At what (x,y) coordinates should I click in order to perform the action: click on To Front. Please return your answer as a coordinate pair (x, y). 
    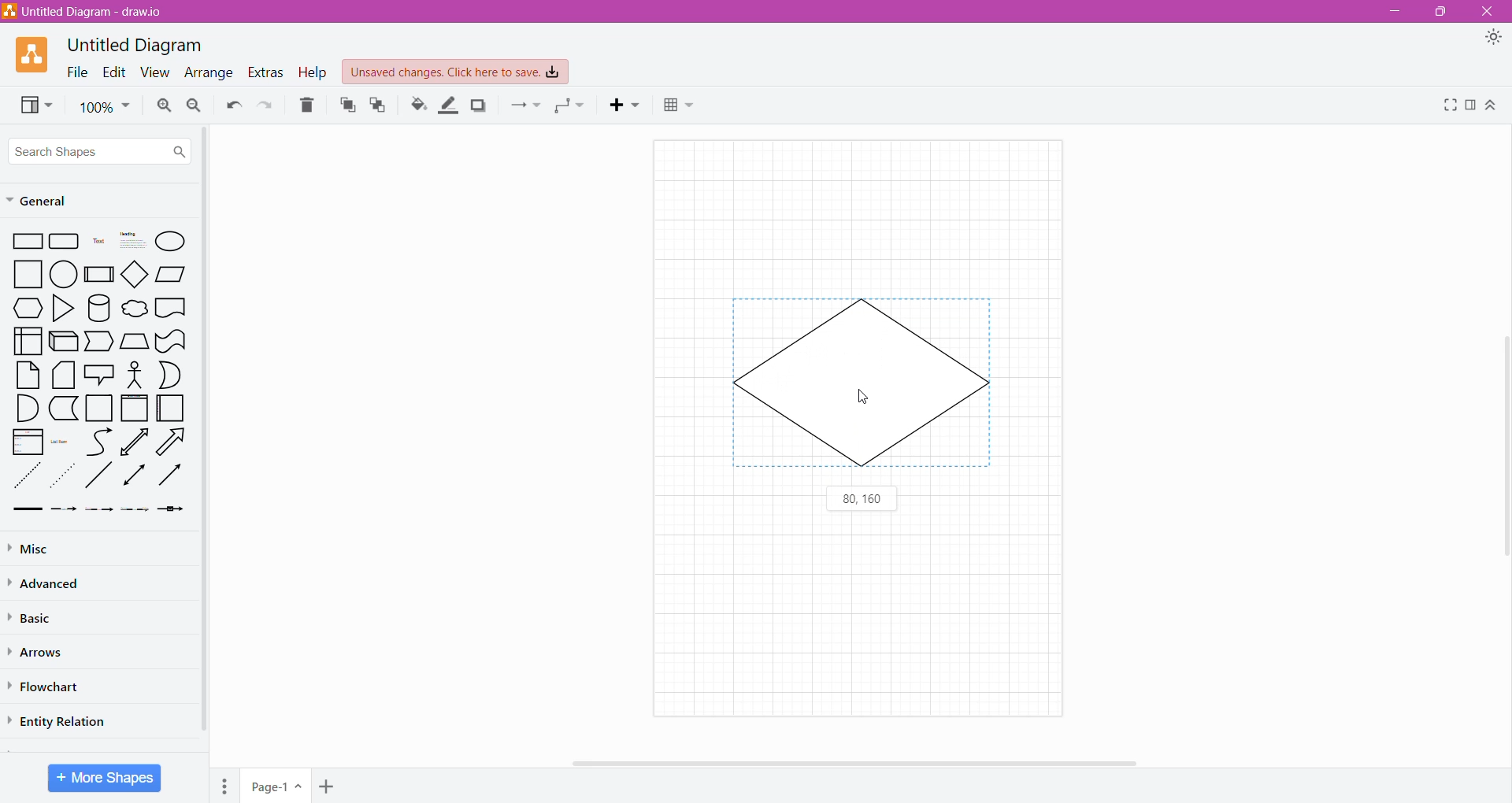
    Looking at the image, I should click on (346, 105).